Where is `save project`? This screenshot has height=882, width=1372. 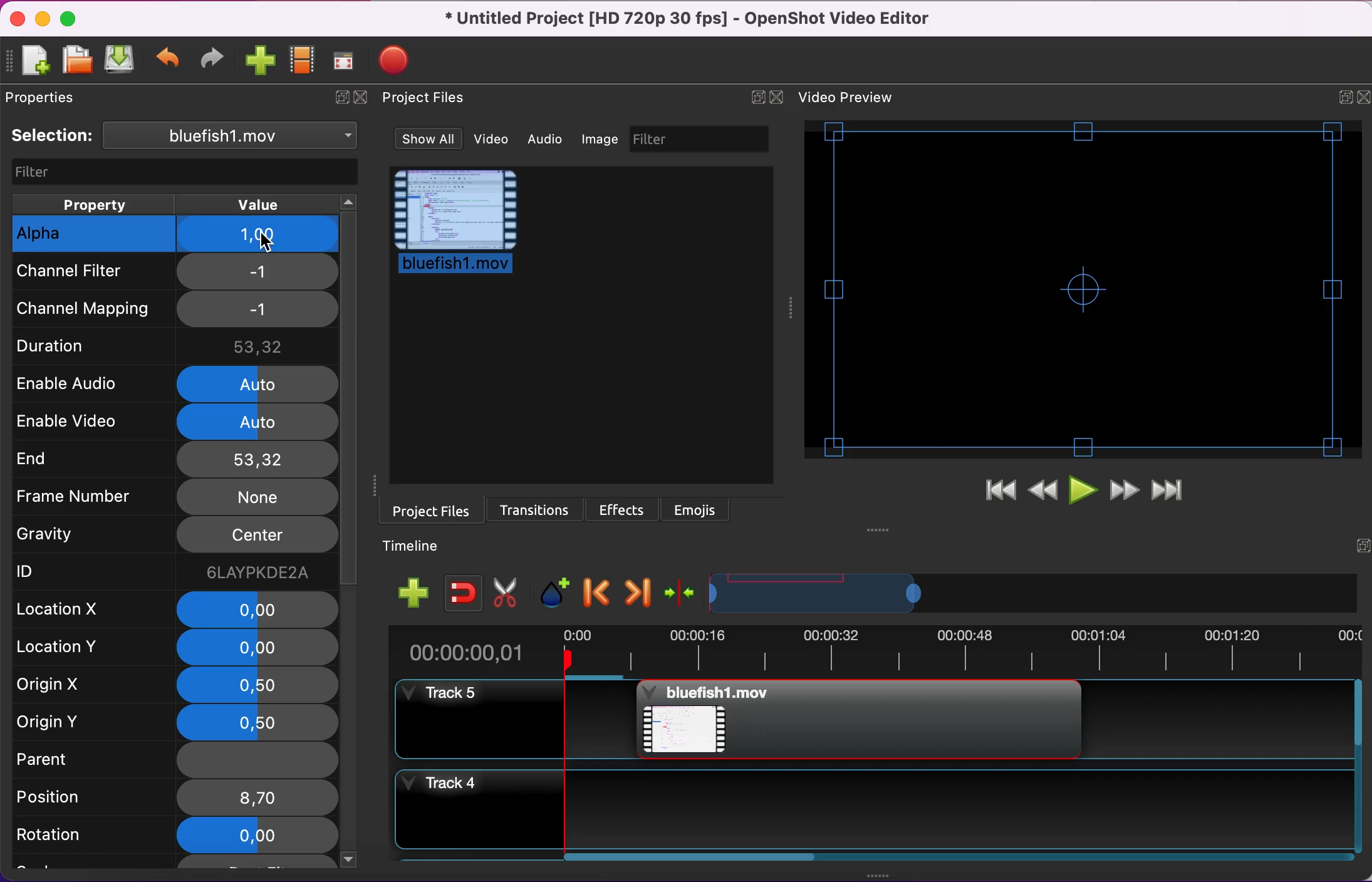 save project is located at coordinates (122, 60).